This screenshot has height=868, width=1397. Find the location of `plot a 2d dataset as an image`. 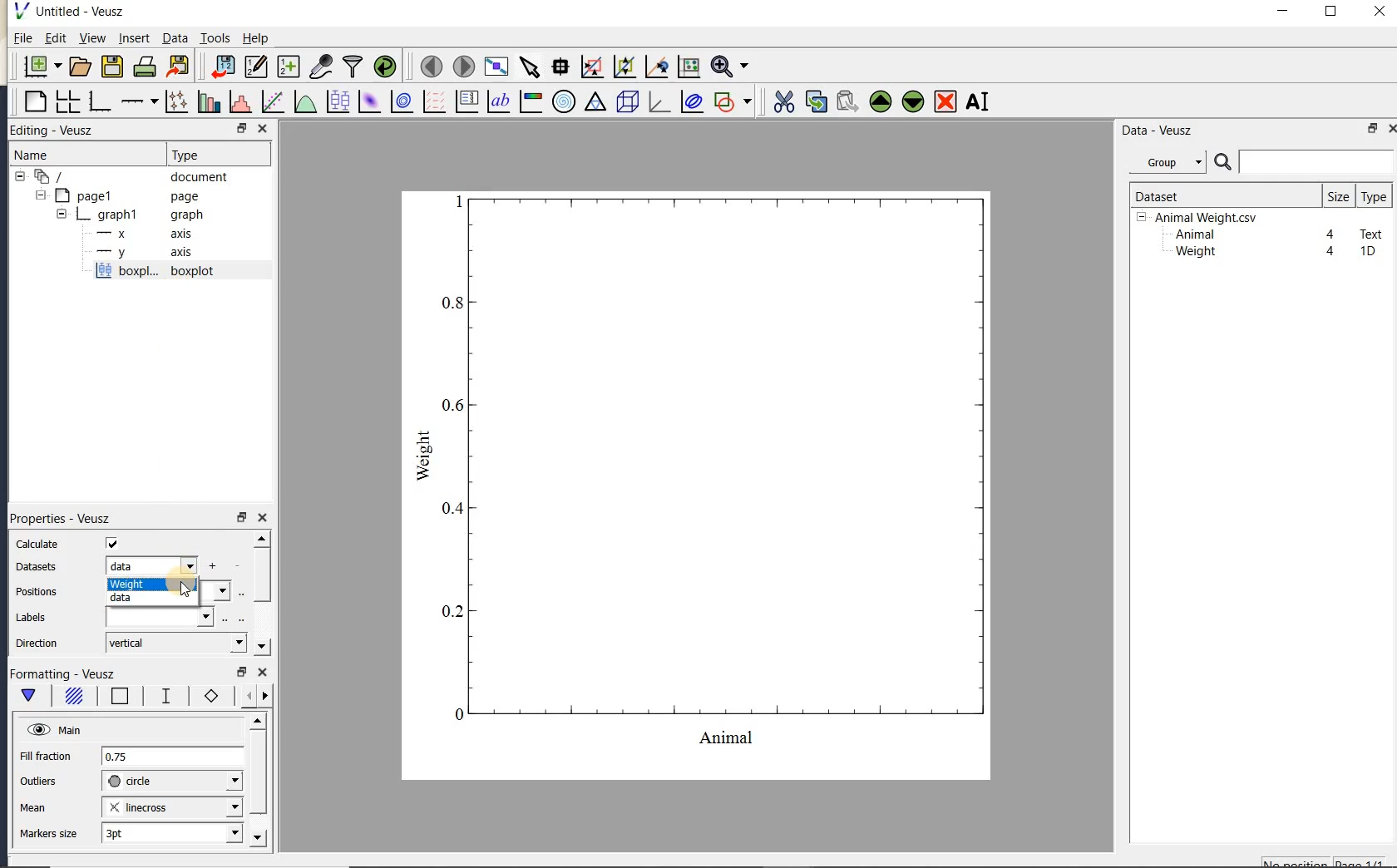

plot a 2d dataset as an image is located at coordinates (368, 101).